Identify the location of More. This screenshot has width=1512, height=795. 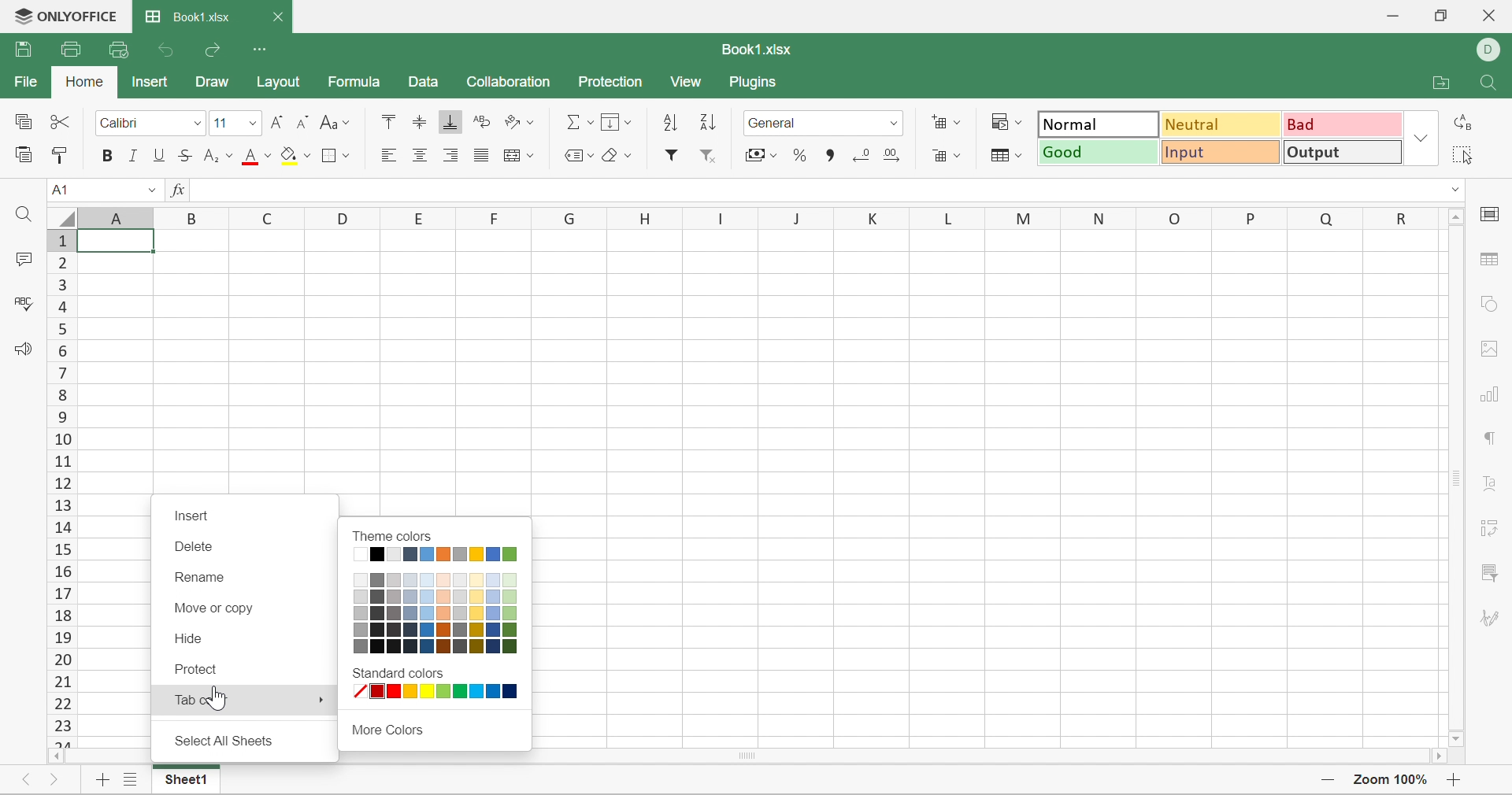
(316, 698).